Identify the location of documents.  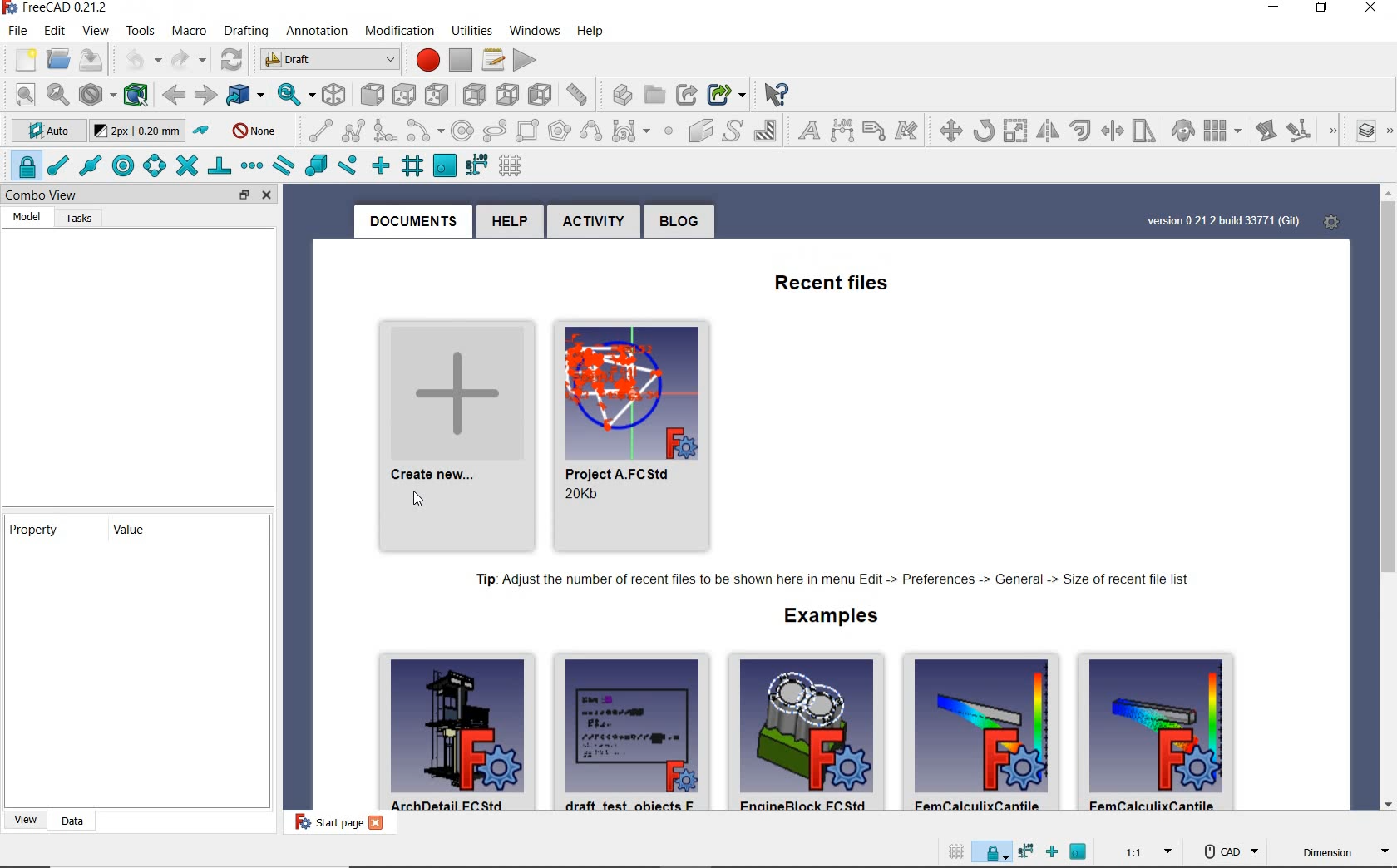
(417, 218).